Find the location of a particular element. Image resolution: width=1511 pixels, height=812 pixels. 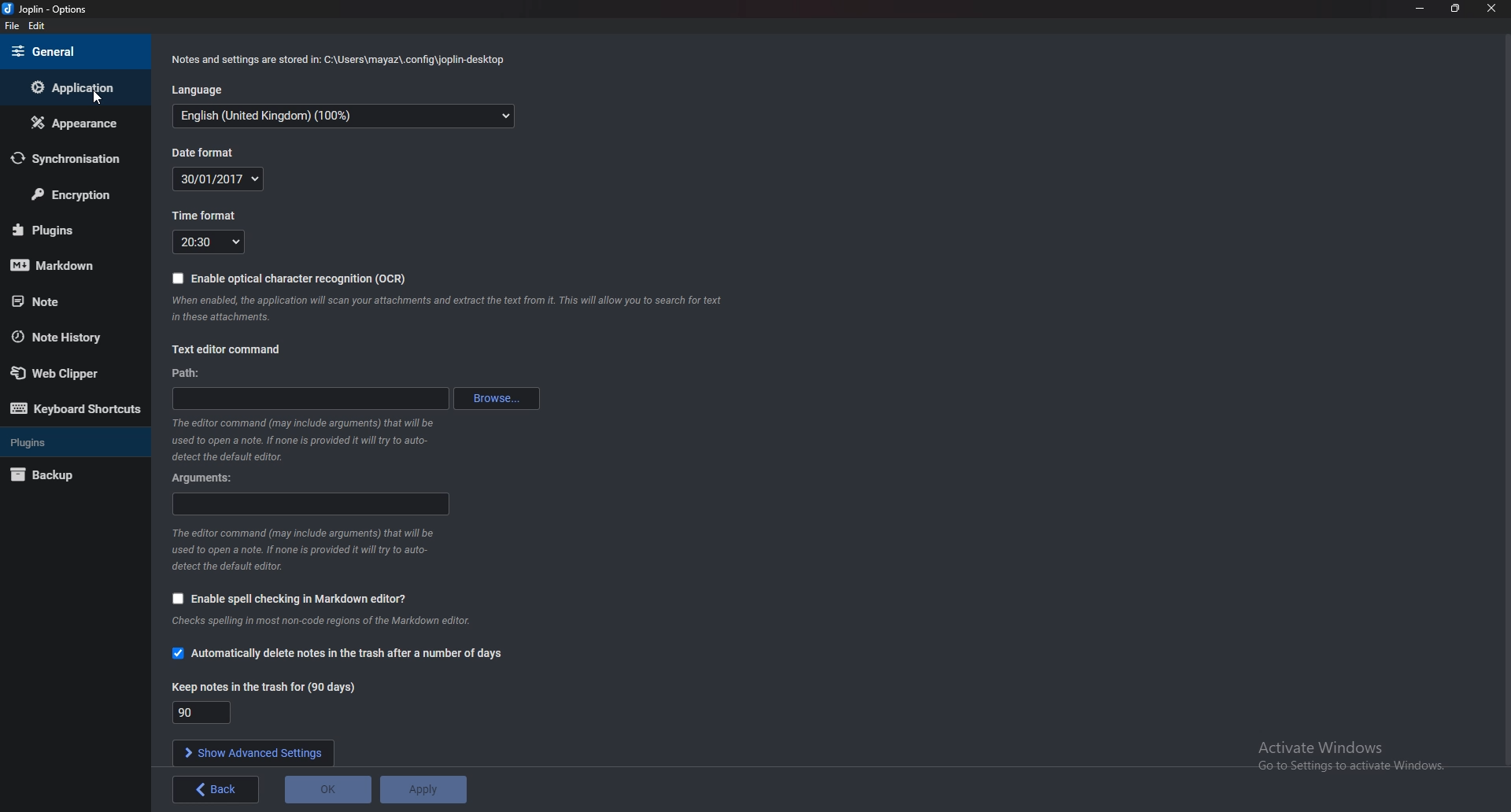

Enable spell checking is located at coordinates (301, 598).